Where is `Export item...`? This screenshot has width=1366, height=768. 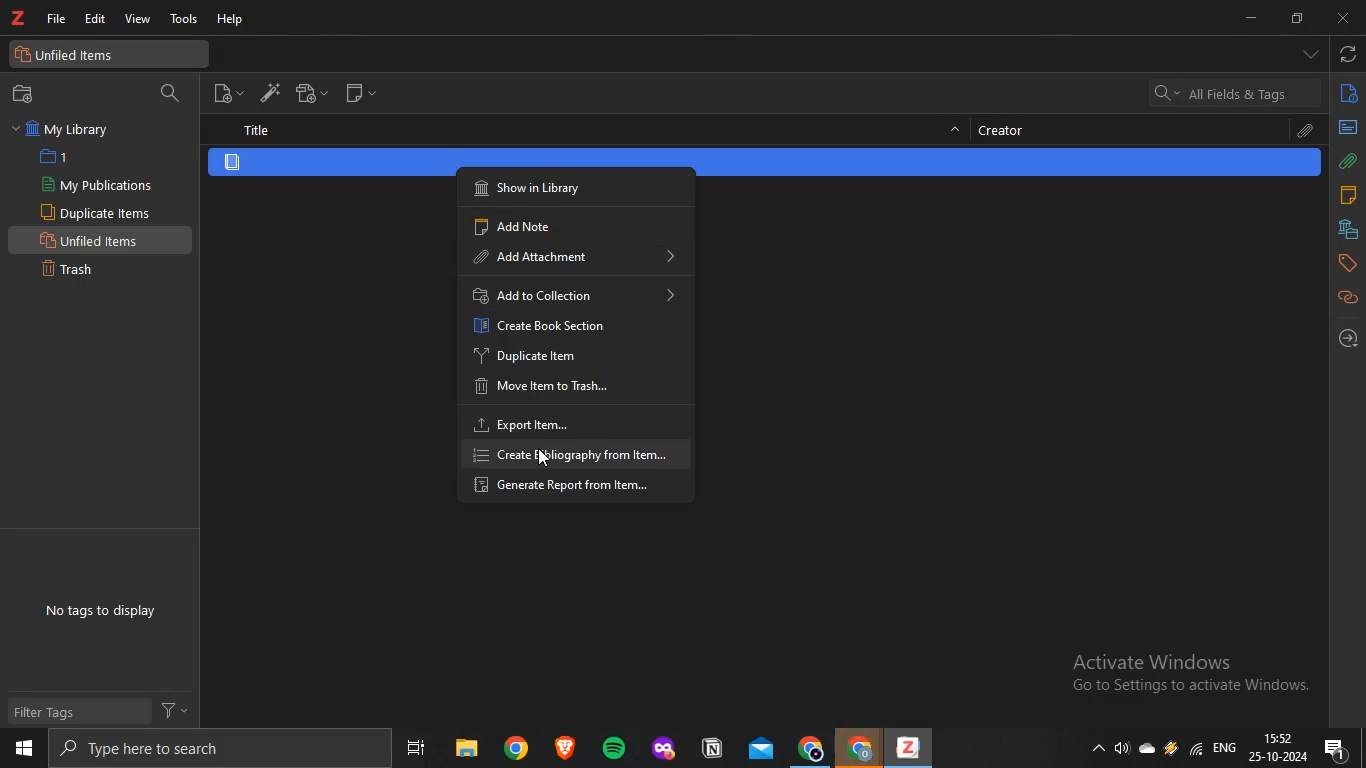
Export item... is located at coordinates (556, 424).